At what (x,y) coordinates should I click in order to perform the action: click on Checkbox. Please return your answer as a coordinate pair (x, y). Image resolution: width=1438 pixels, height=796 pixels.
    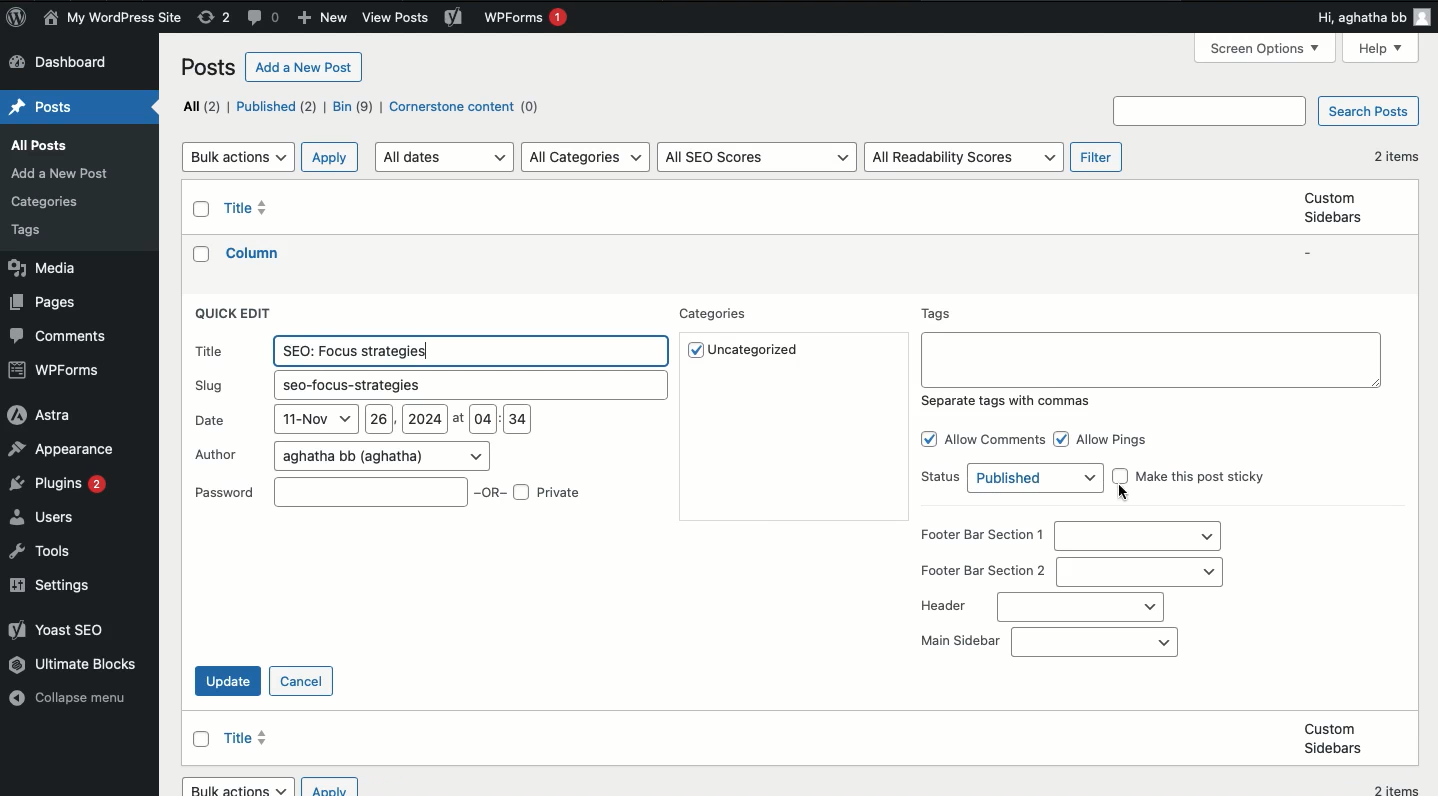
    Looking at the image, I should click on (1062, 439).